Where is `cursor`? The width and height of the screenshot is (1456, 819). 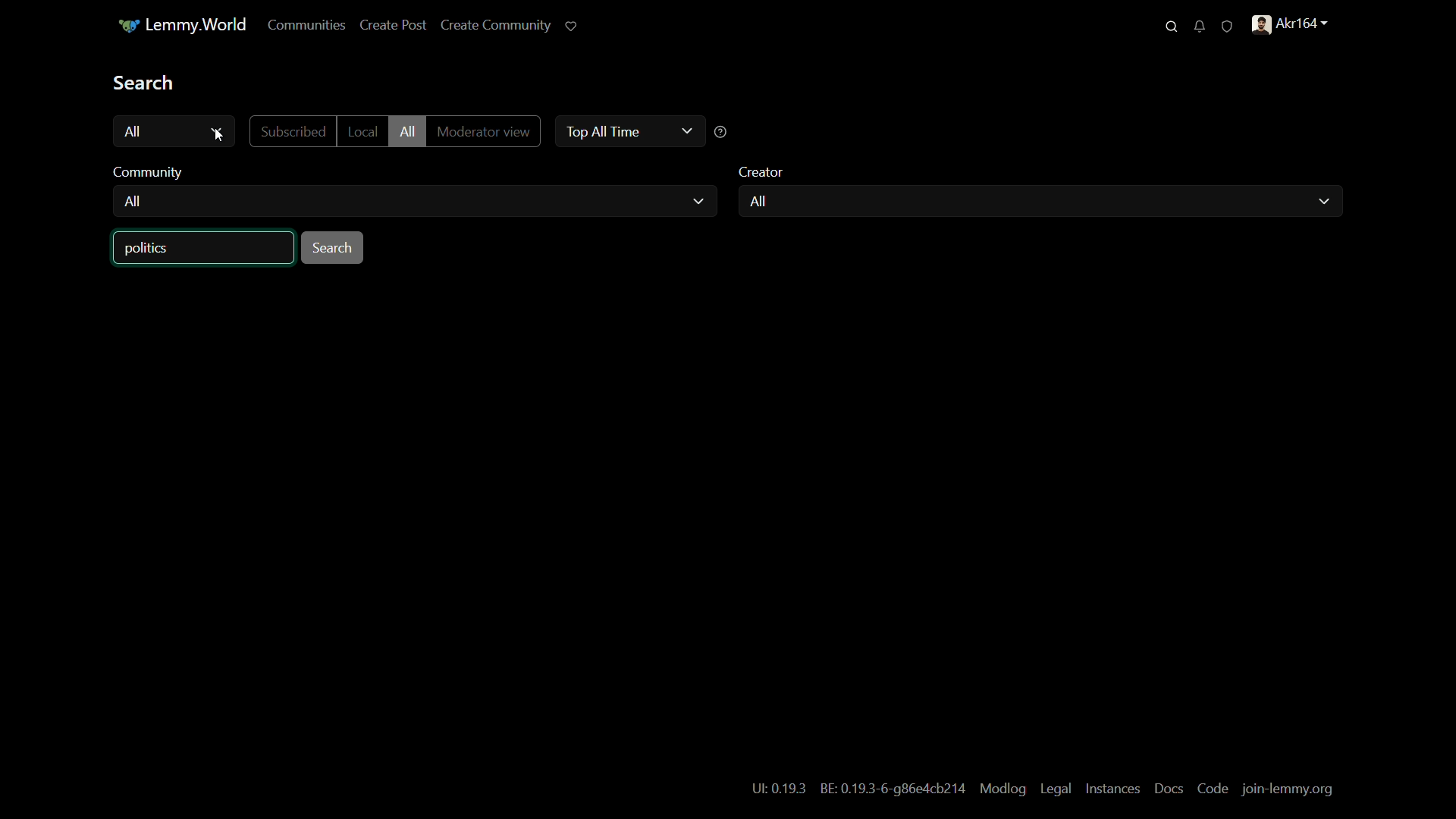
cursor is located at coordinates (219, 136).